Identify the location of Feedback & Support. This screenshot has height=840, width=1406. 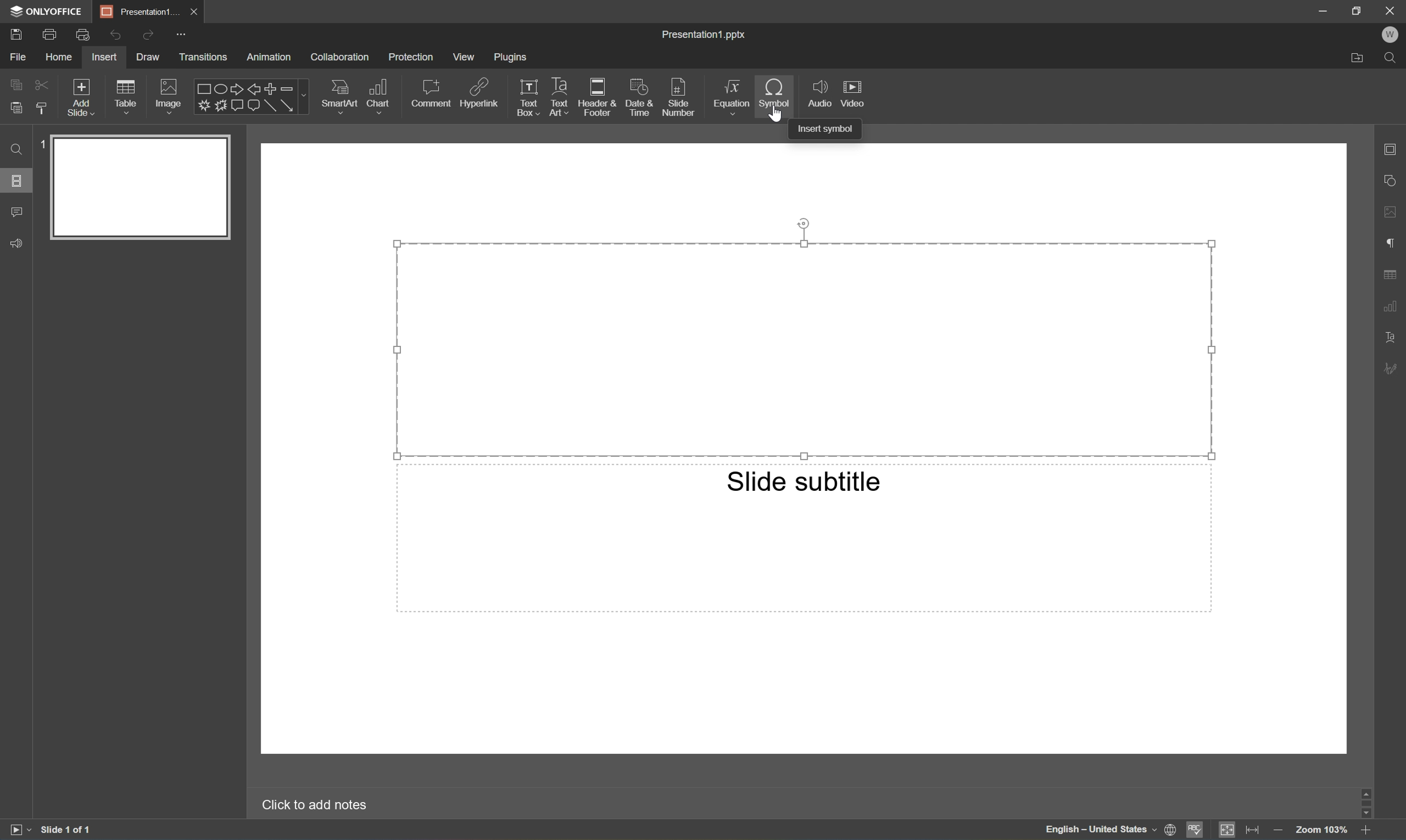
(14, 244).